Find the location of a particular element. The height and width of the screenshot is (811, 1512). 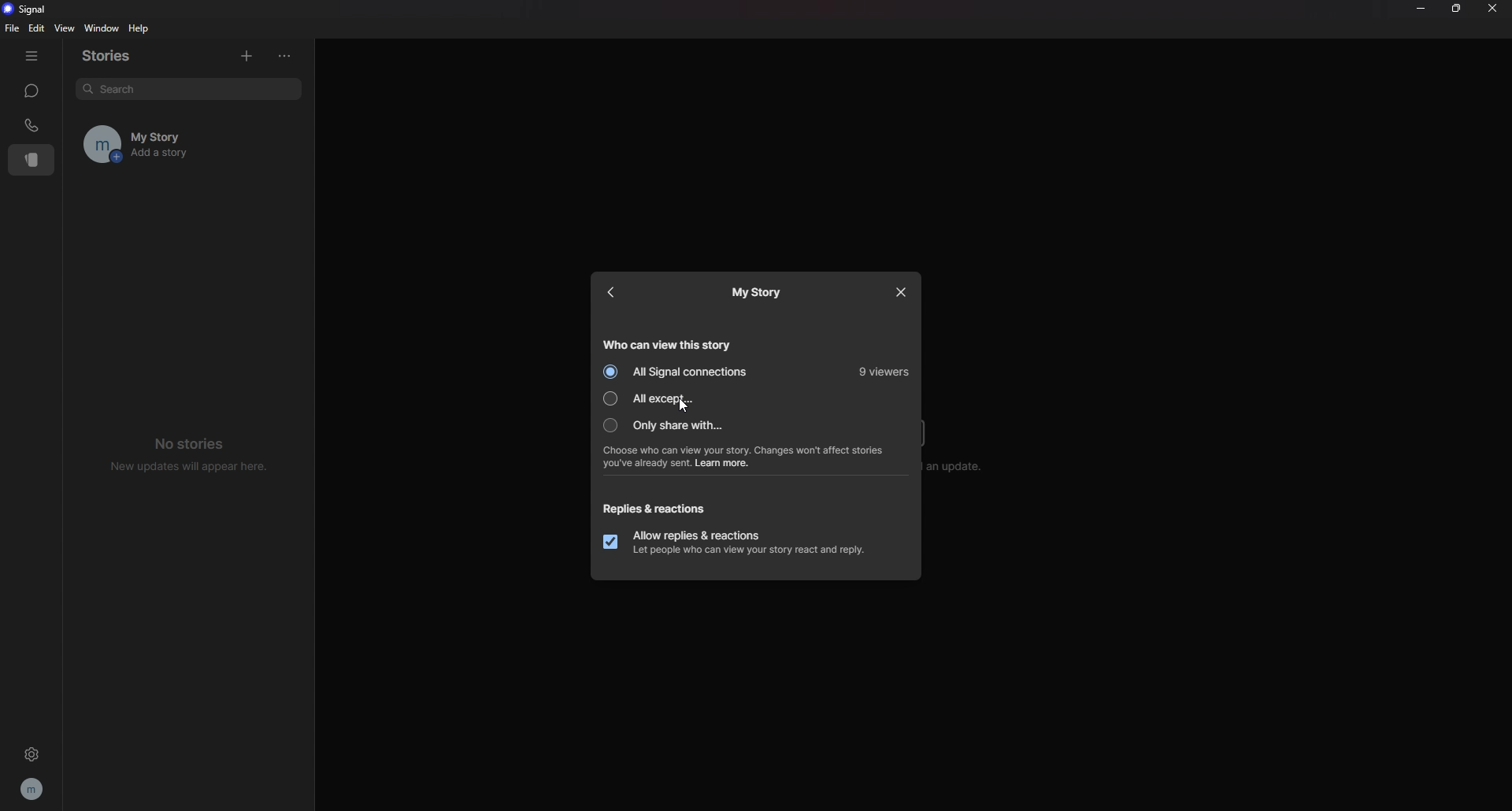

view is located at coordinates (64, 28).